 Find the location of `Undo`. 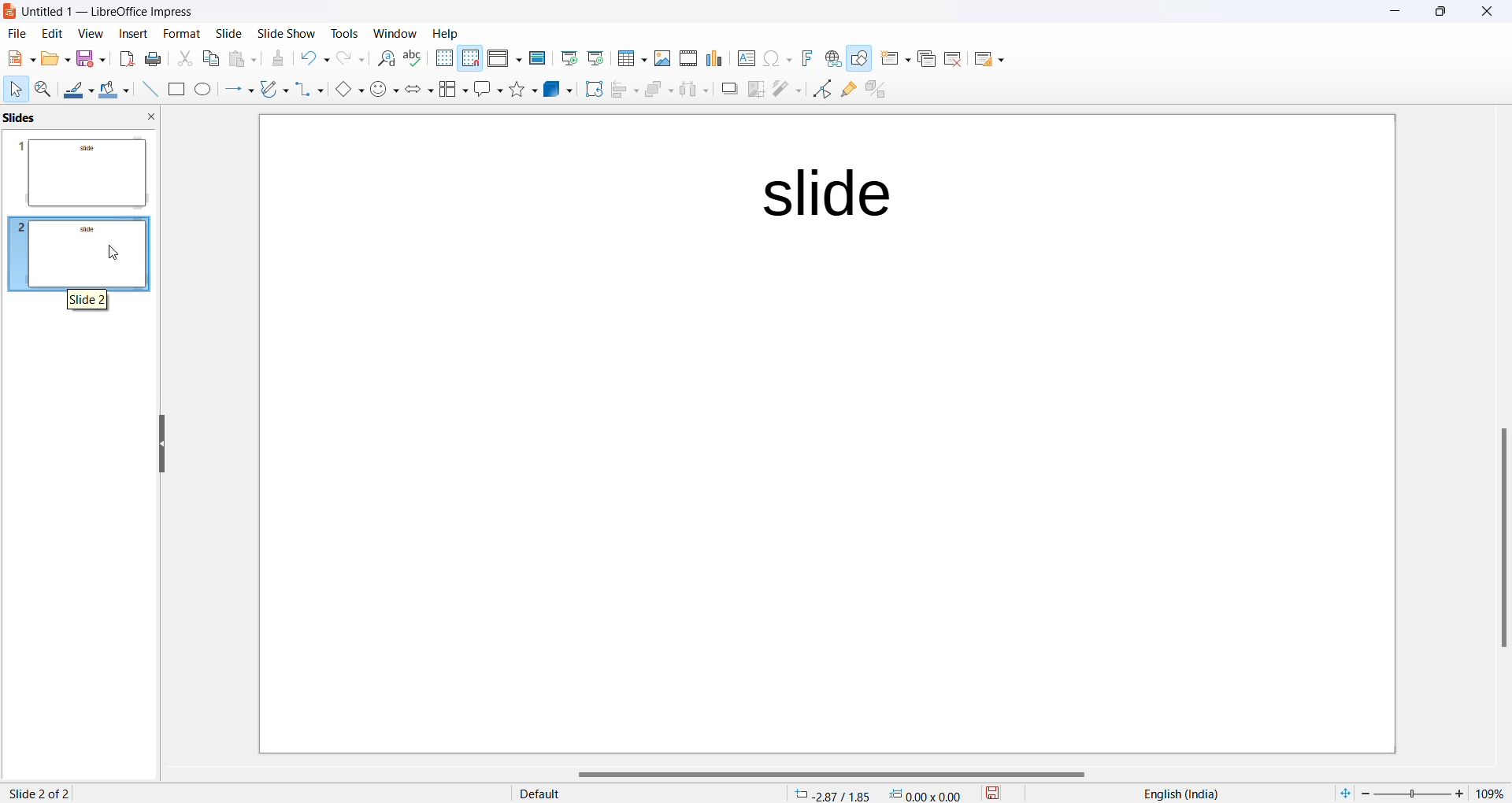

Undo is located at coordinates (315, 56).